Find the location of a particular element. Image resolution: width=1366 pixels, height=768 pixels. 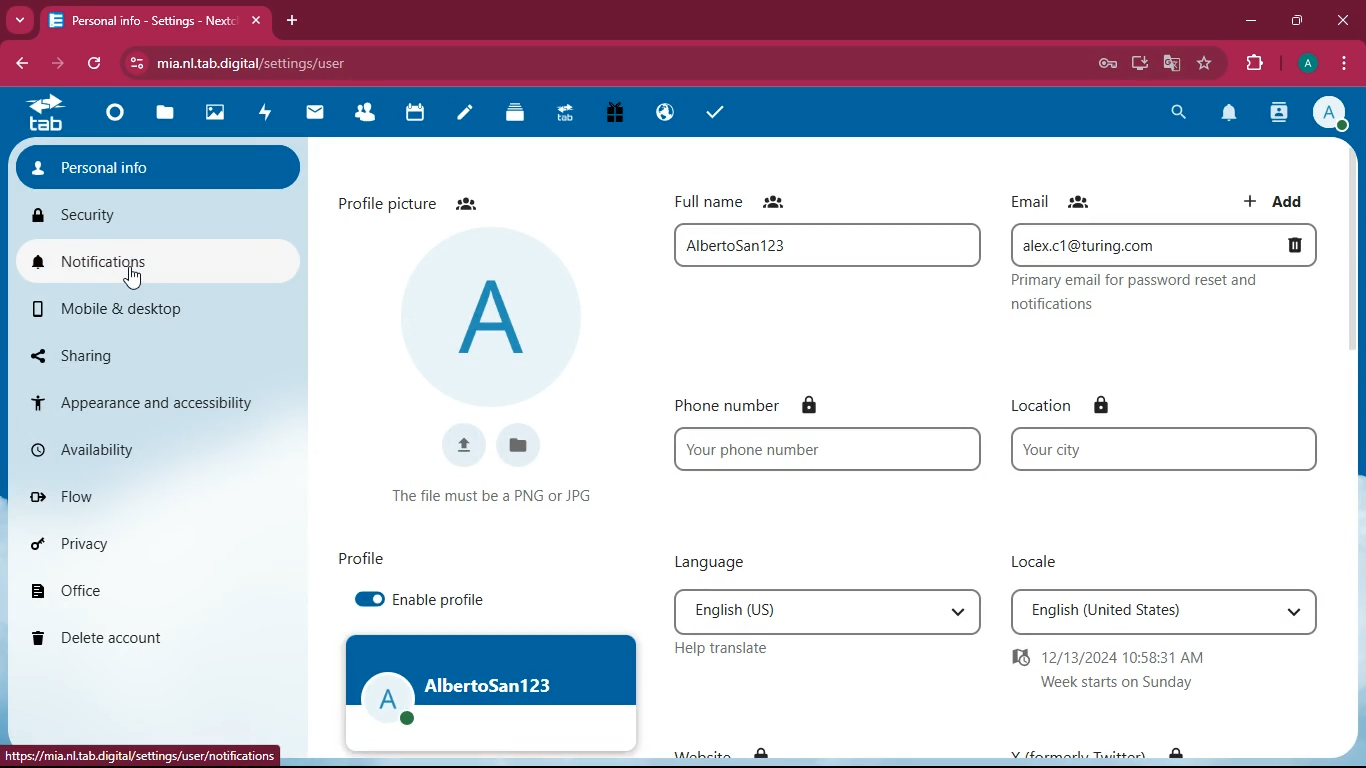

friends is located at coordinates (774, 201).